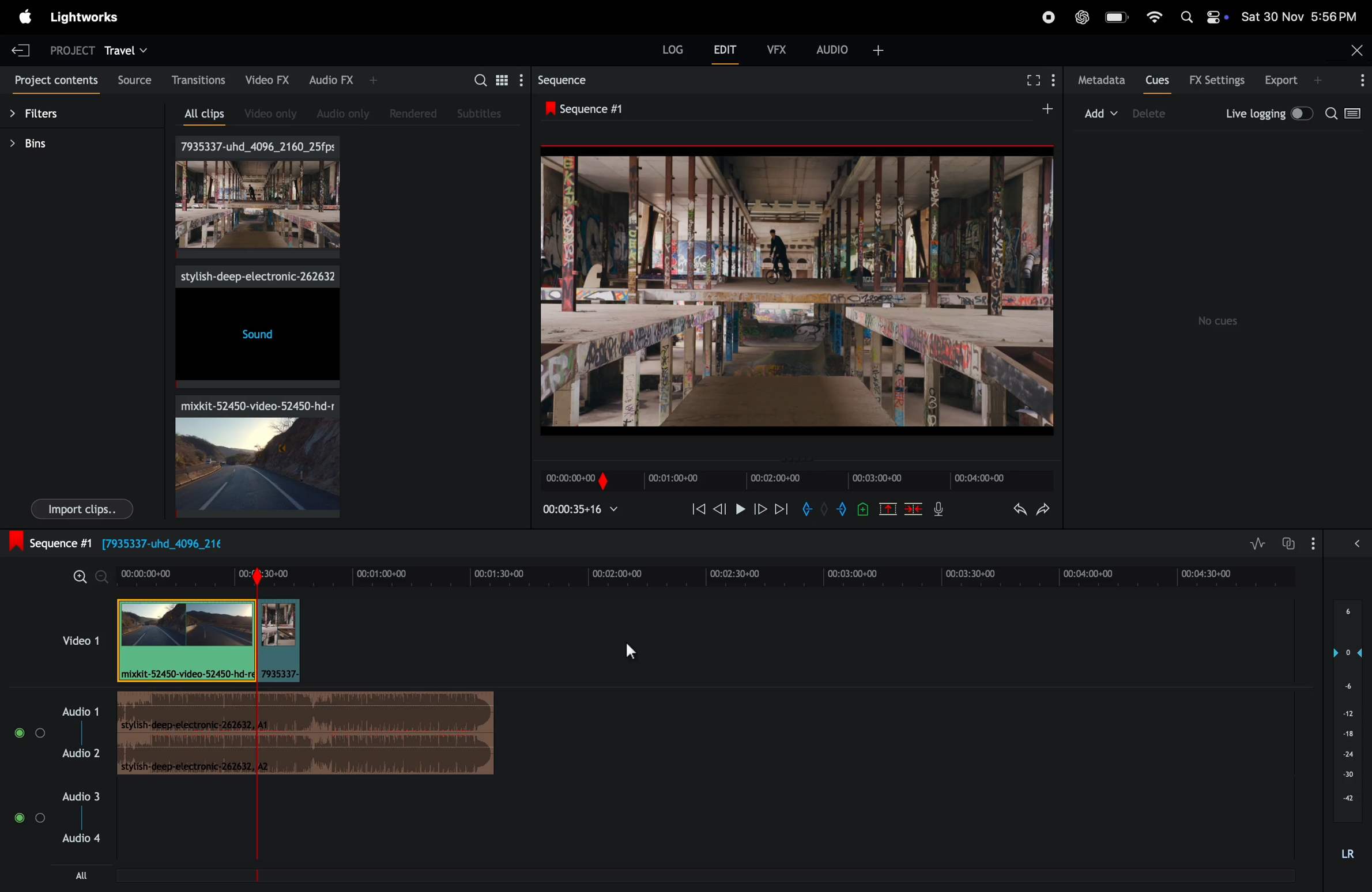  What do you see at coordinates (740, 510) in the screenshot?
I see `play` at bounding box center [740, 510].